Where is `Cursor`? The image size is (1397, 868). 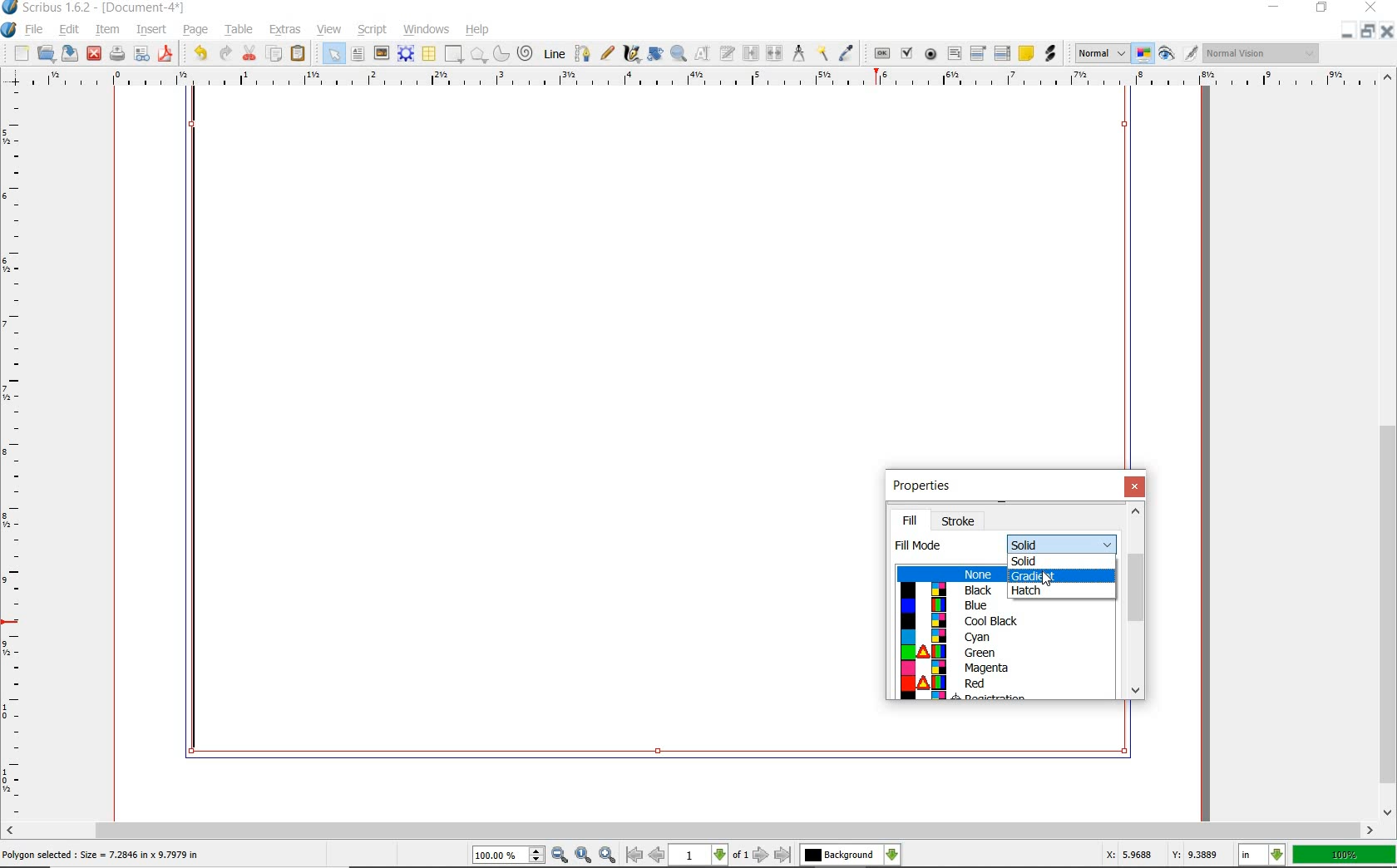
Cursor is located at coordinates (1047, 579).